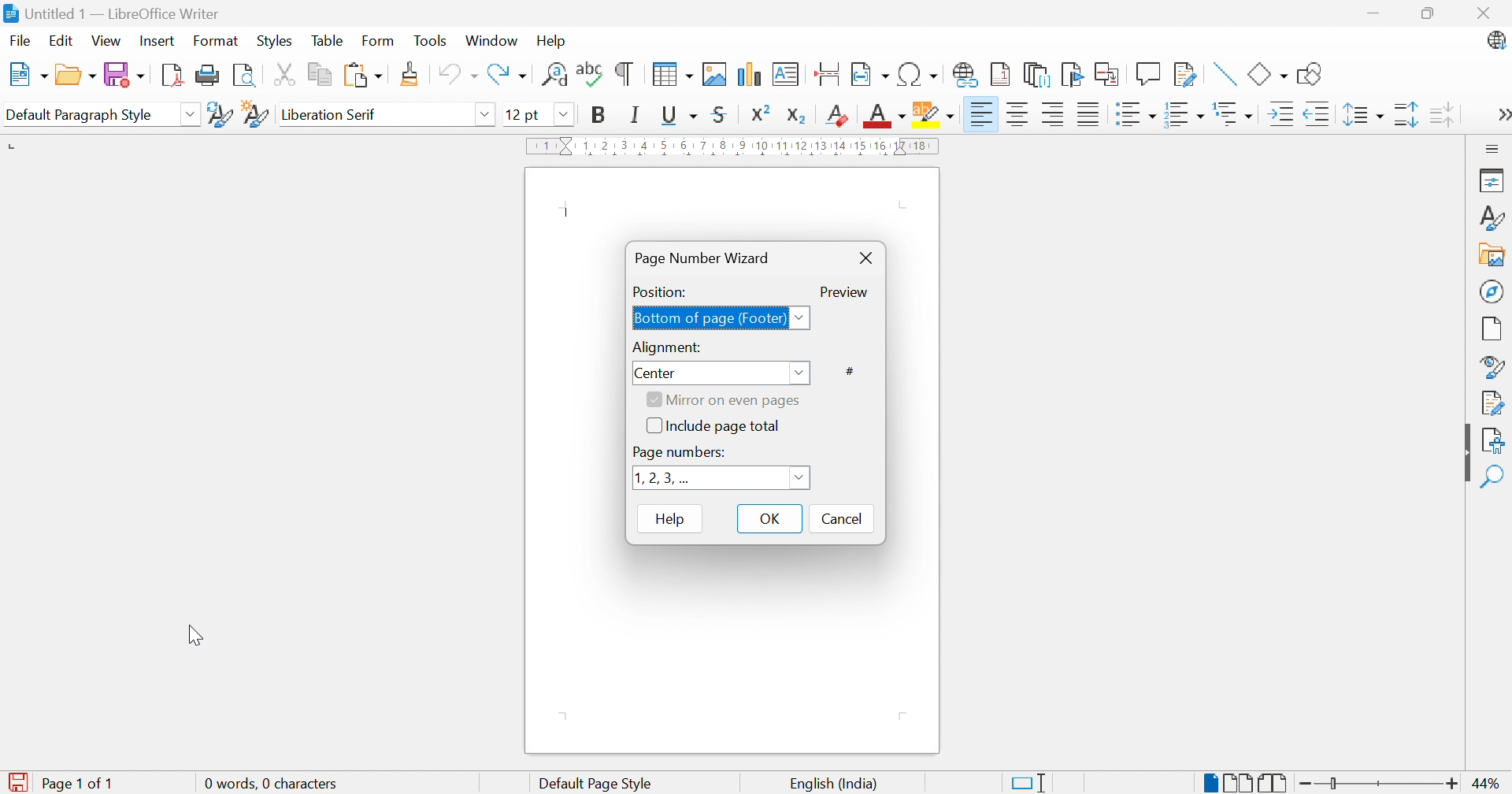 The width and height of the screenshot is (1512, 794). I want to click on Windows, so click(492, 42).